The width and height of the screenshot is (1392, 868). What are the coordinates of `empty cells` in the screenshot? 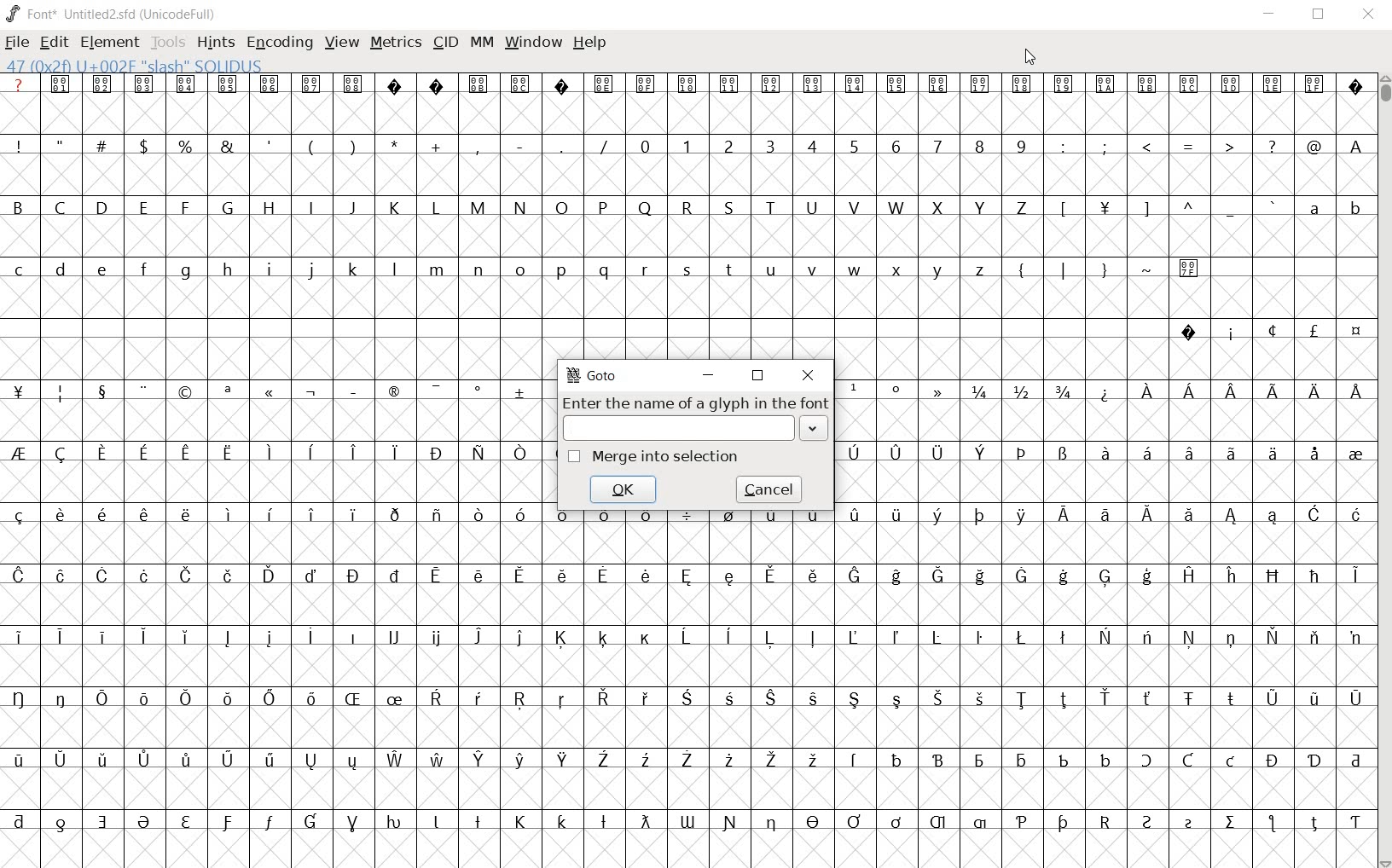 It's located at (688, 847).